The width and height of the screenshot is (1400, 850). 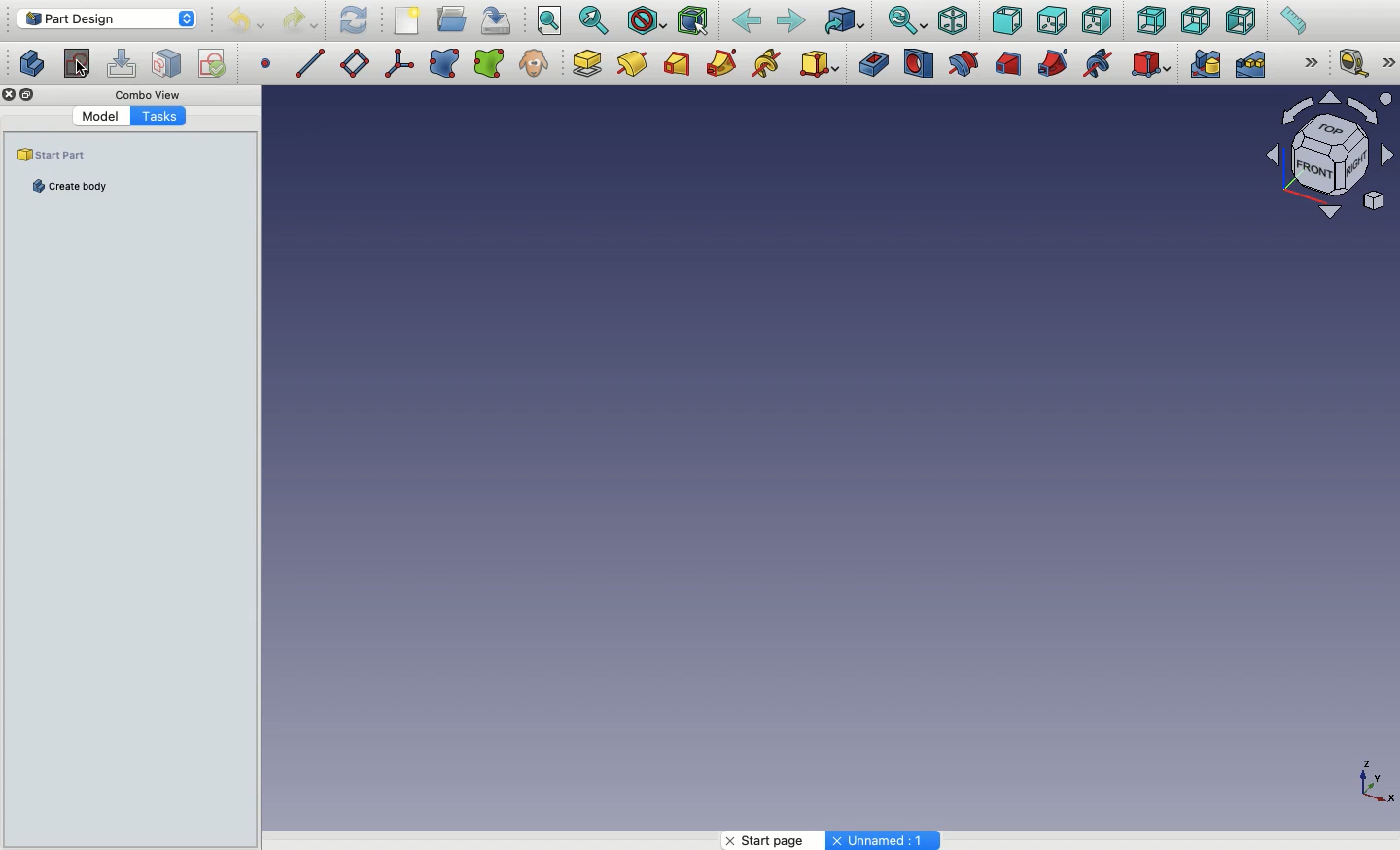 I want to click on Groove, so click(x=962, y=64).